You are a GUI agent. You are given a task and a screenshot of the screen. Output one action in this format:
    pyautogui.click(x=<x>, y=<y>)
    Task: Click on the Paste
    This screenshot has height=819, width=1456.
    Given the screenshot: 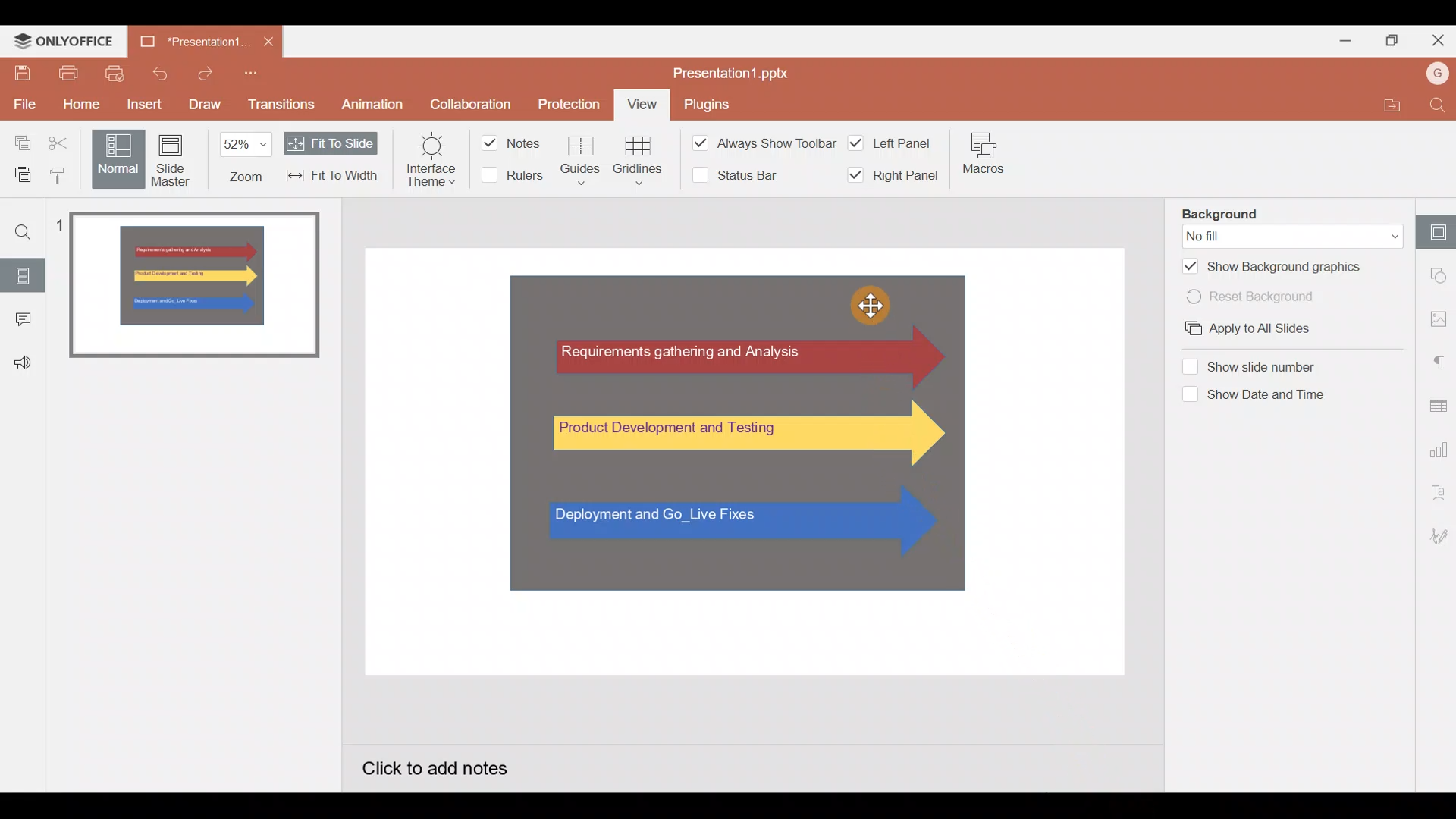 What is the action you would take?
    pyautogui.click(x=18, y=174)
    